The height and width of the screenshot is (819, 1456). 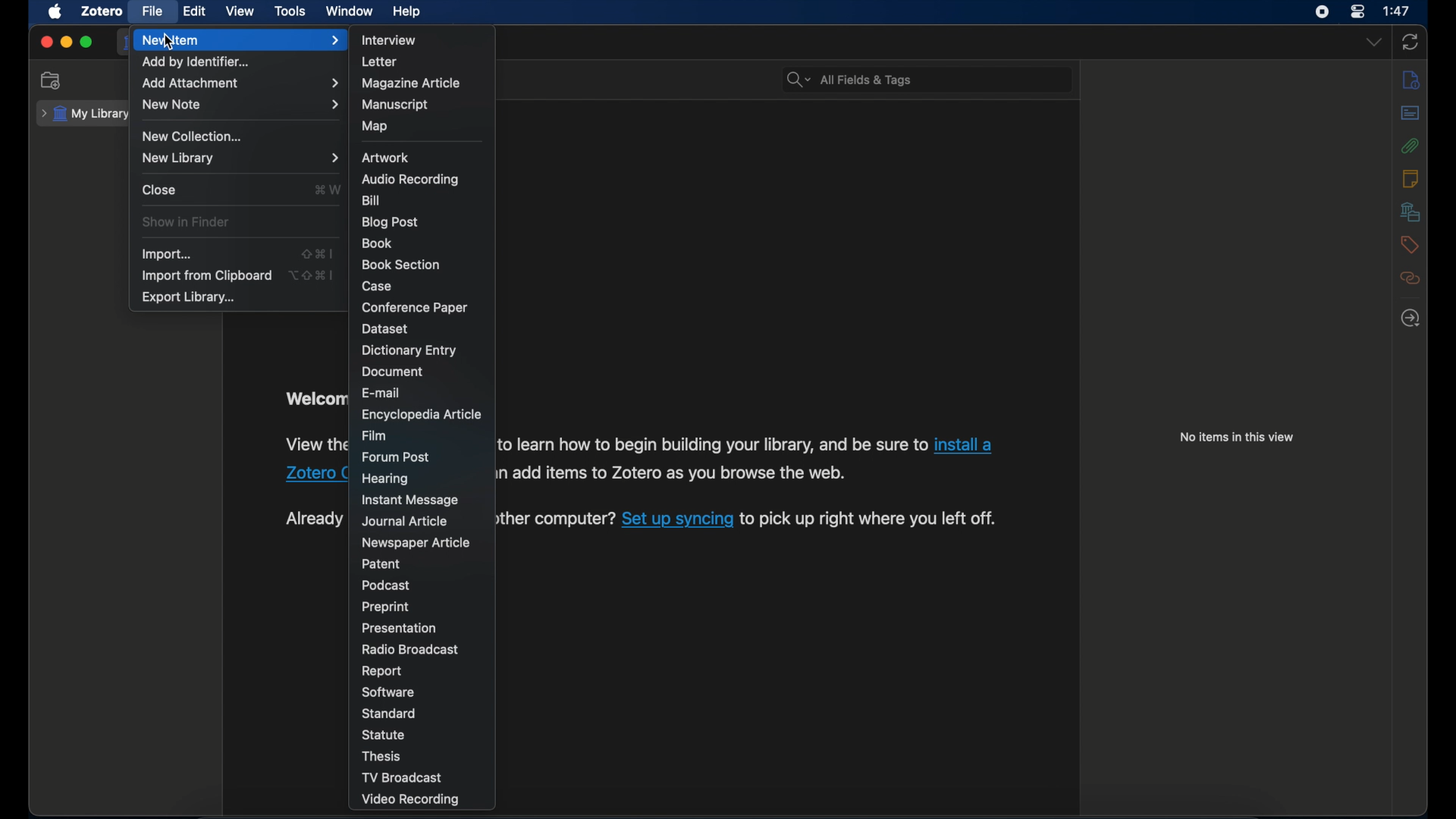 What do you see at coordinates (1410, 80) in the screenshot?
I see `info` at bounding box center [1410, 80].